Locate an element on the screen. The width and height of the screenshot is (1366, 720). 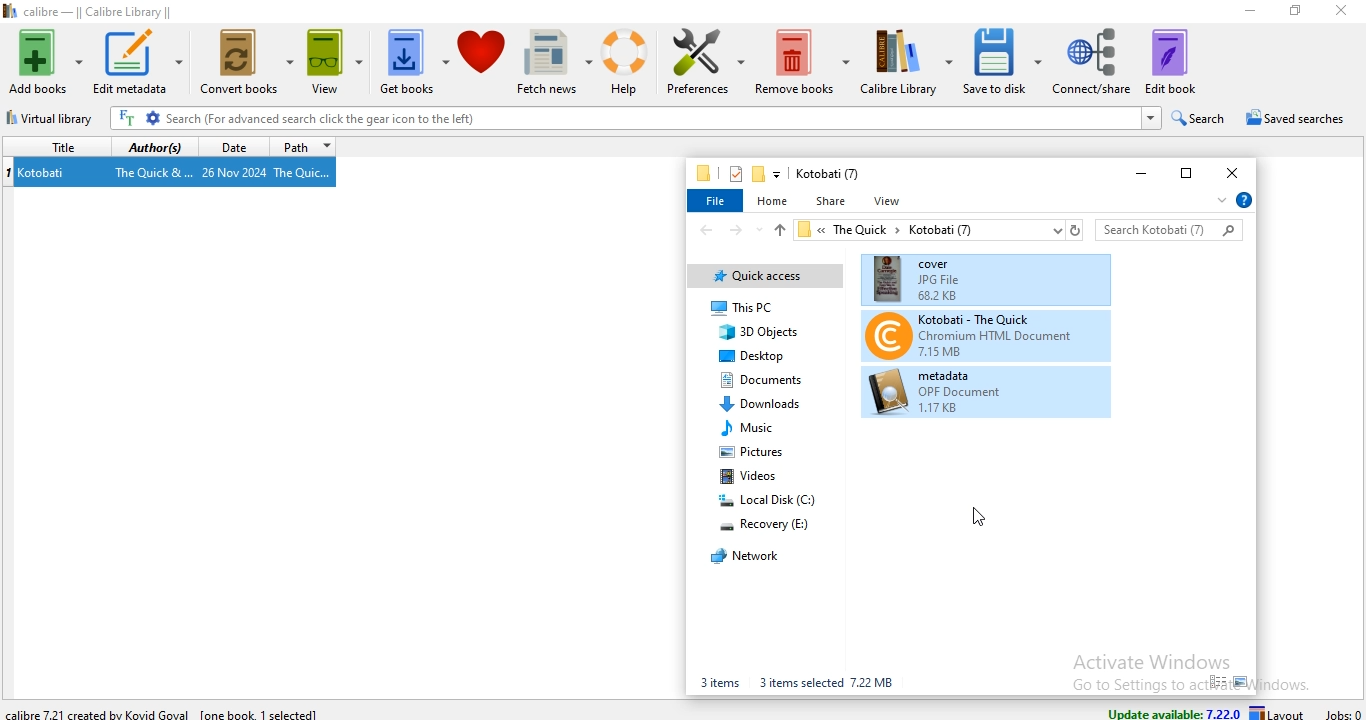
preference is located at coordinates (701, 62).